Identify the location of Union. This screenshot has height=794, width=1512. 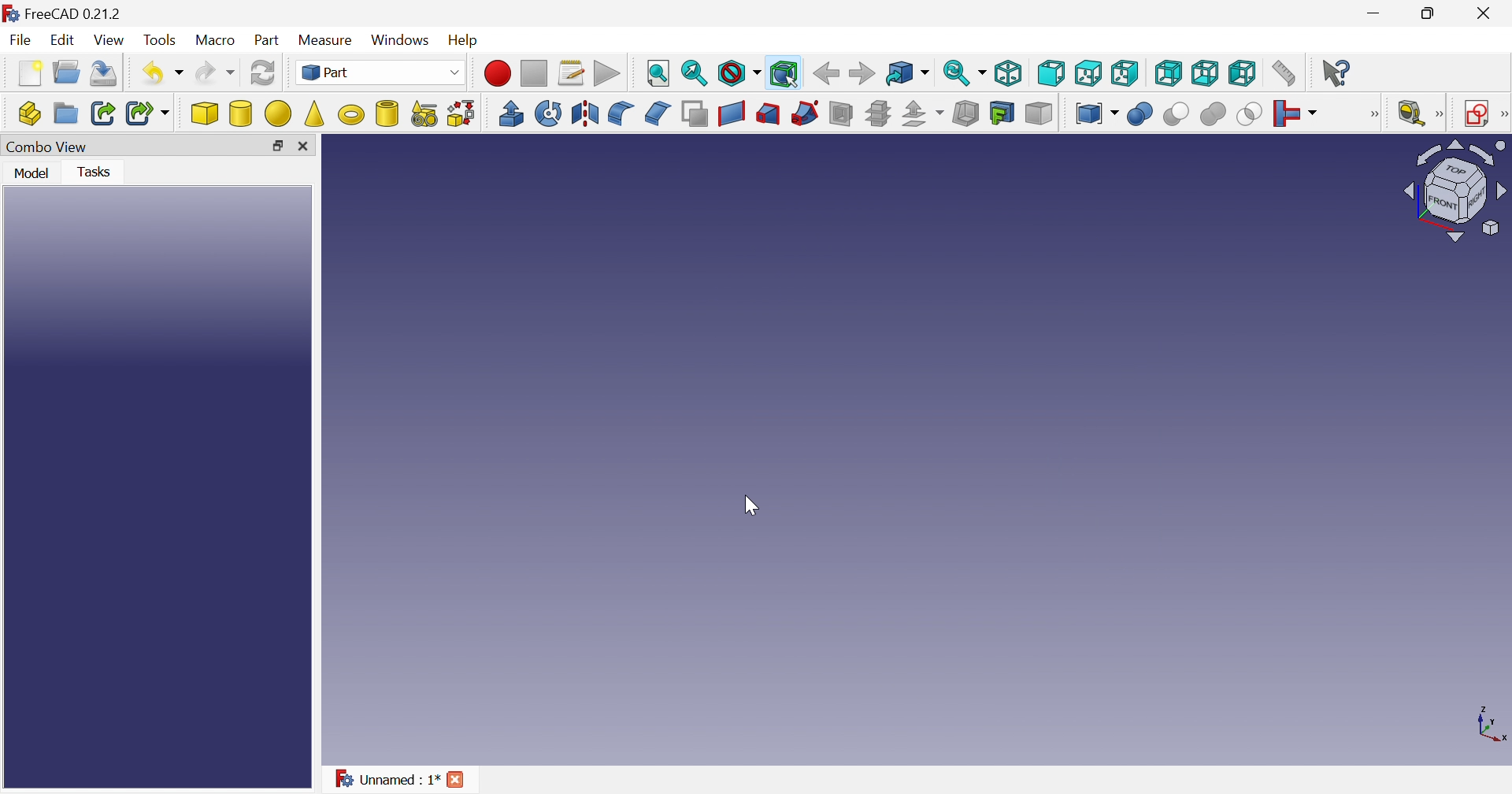
(1213, 113).